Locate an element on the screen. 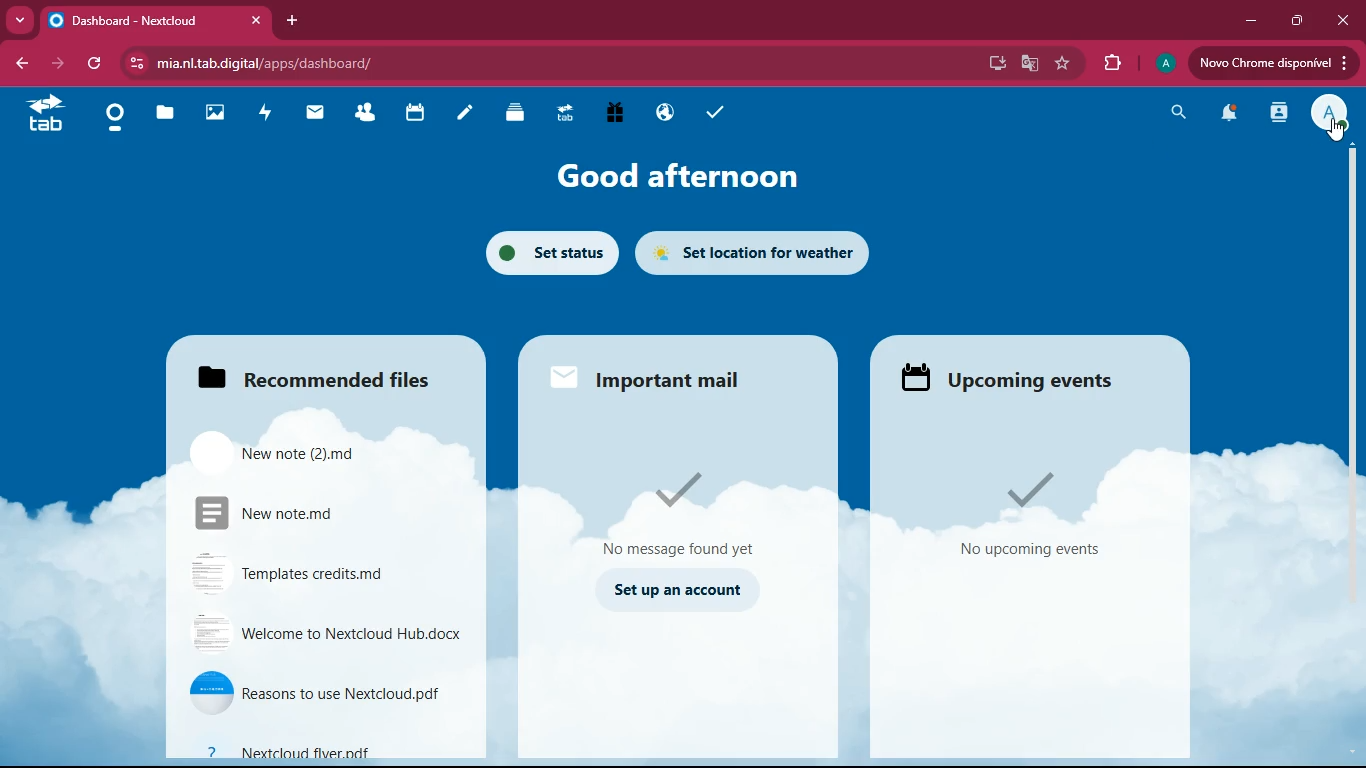 The height and width of the screenshot is (768, 1366). file is located at coordinates (296, 454).